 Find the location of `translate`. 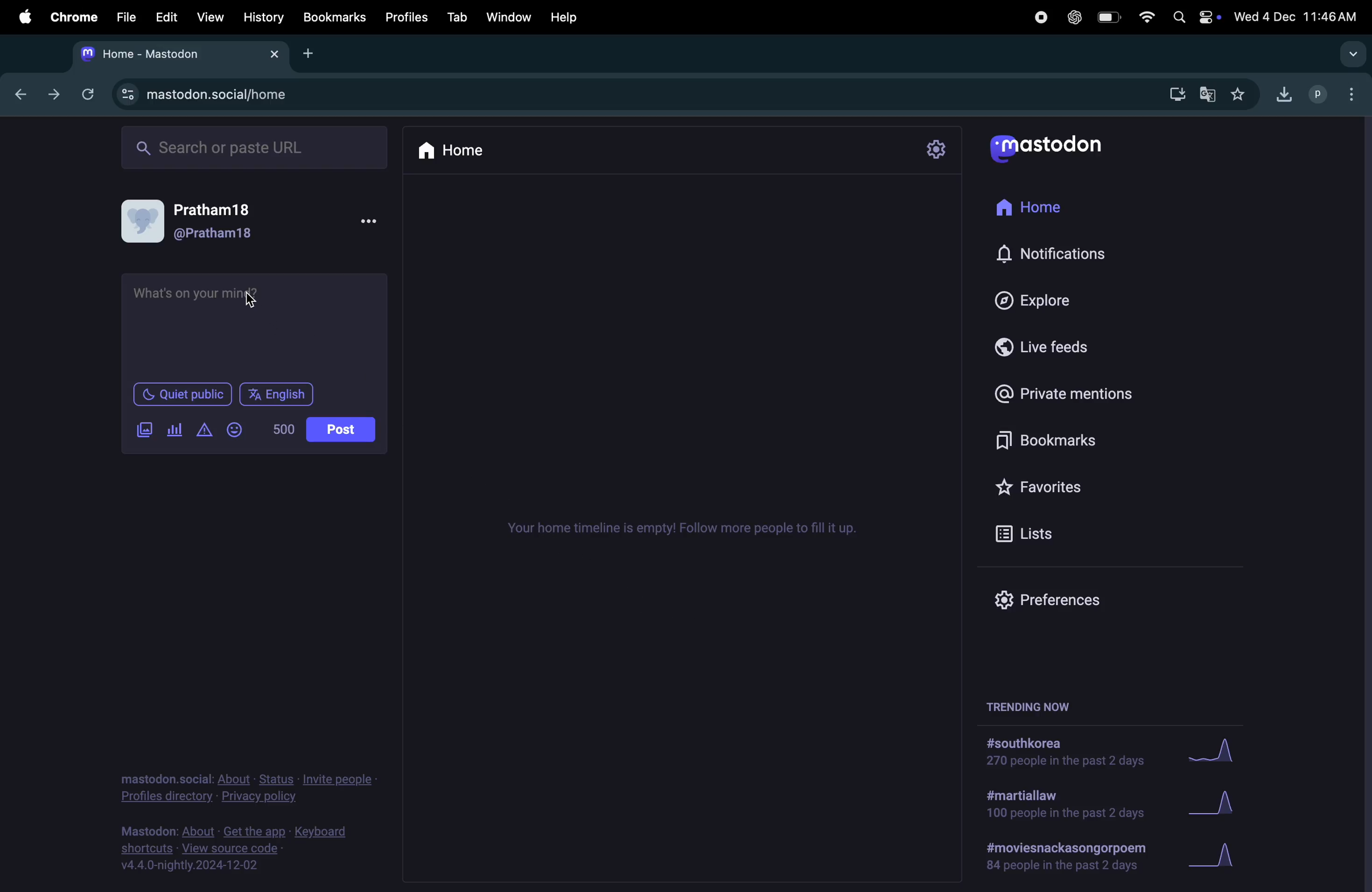

translate is located at coordinates (1211, 93).